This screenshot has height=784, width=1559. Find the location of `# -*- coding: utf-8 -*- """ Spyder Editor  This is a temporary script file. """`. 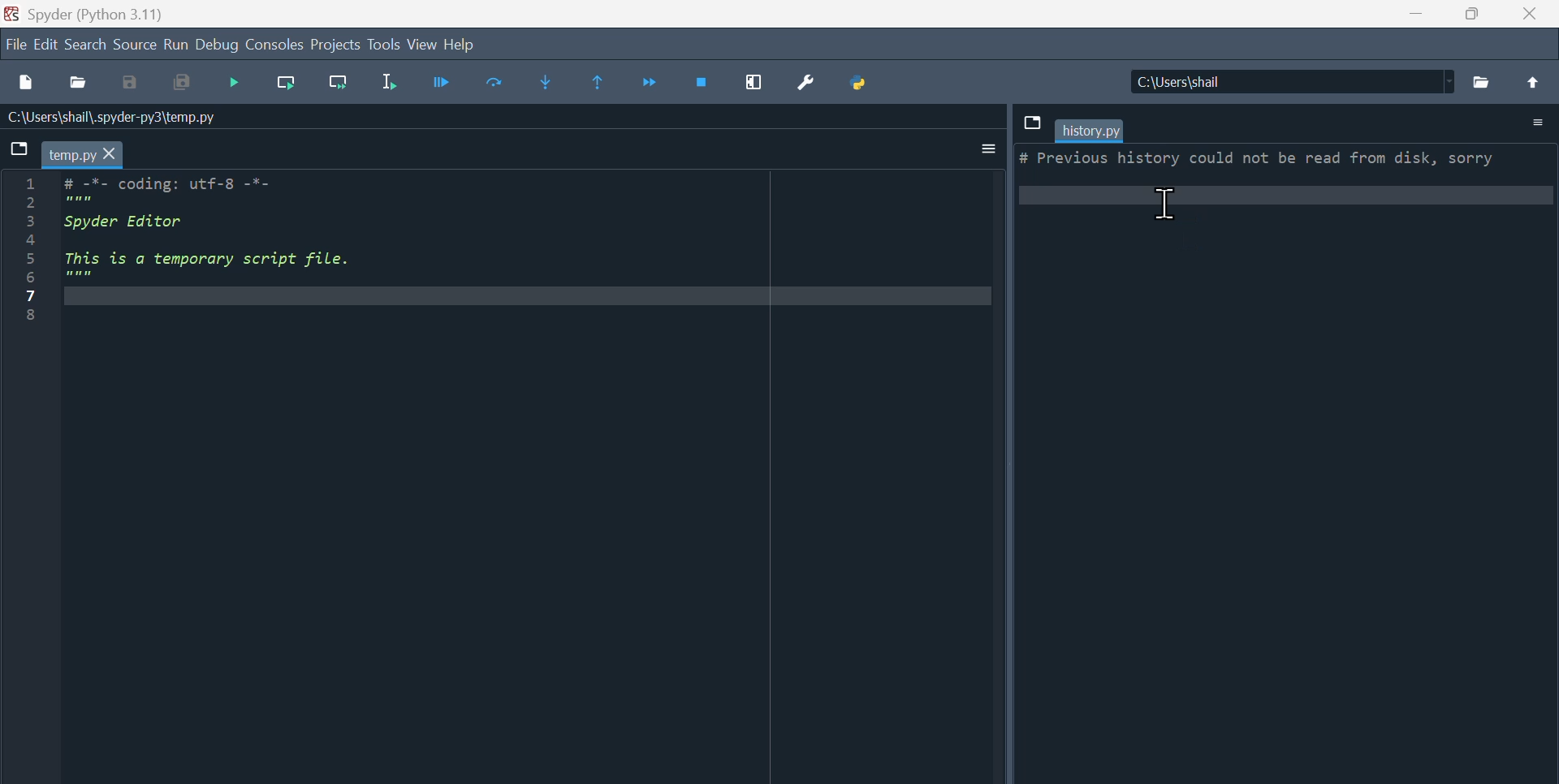

# -*- coding: utf-8 -*- """ Spyder Editor  This is a temporary script file. """ is located at coordinates (527, 243).